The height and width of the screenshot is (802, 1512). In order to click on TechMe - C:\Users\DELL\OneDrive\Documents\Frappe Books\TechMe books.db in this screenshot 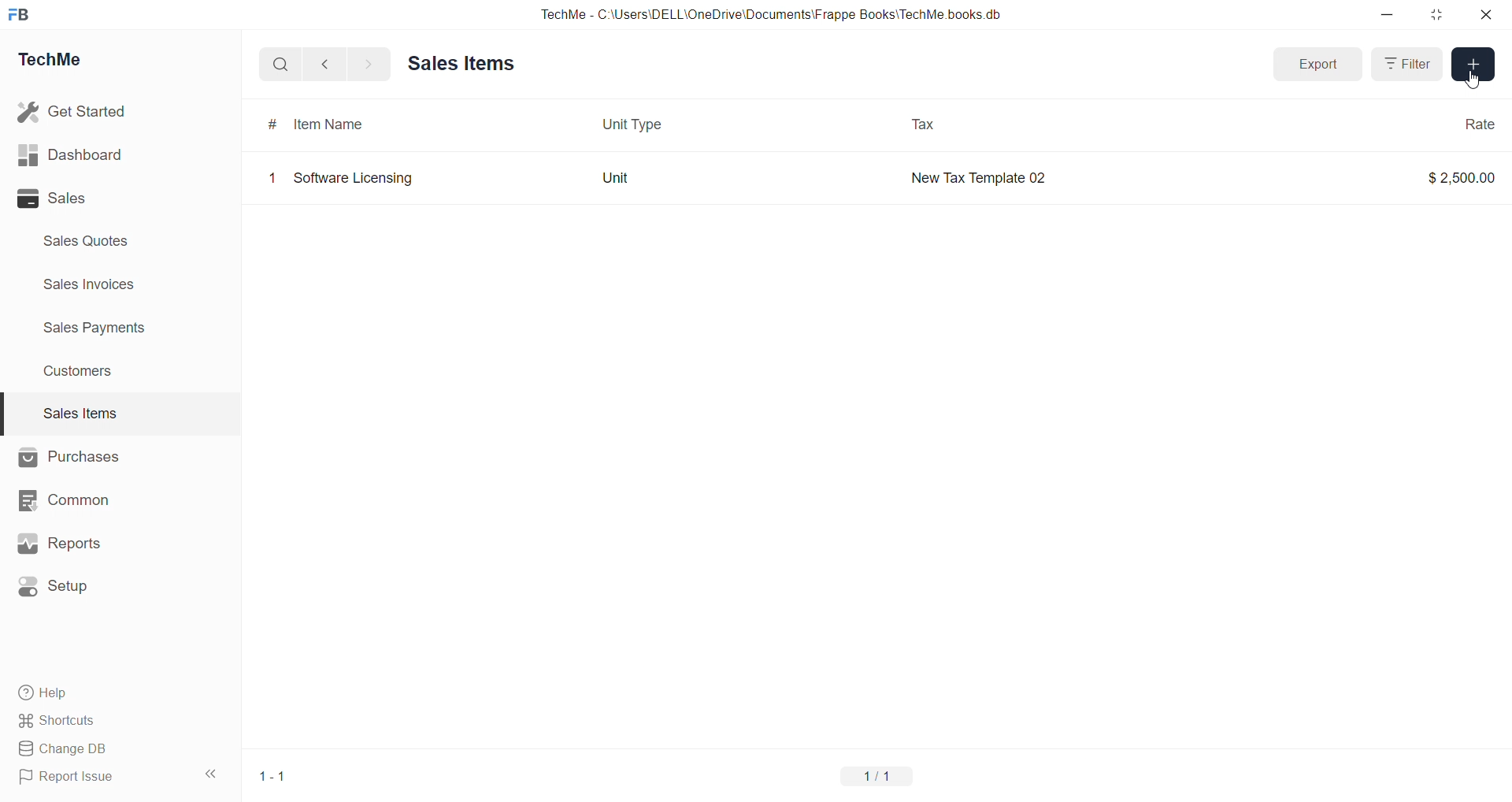, I will do `click(773, 14)`.